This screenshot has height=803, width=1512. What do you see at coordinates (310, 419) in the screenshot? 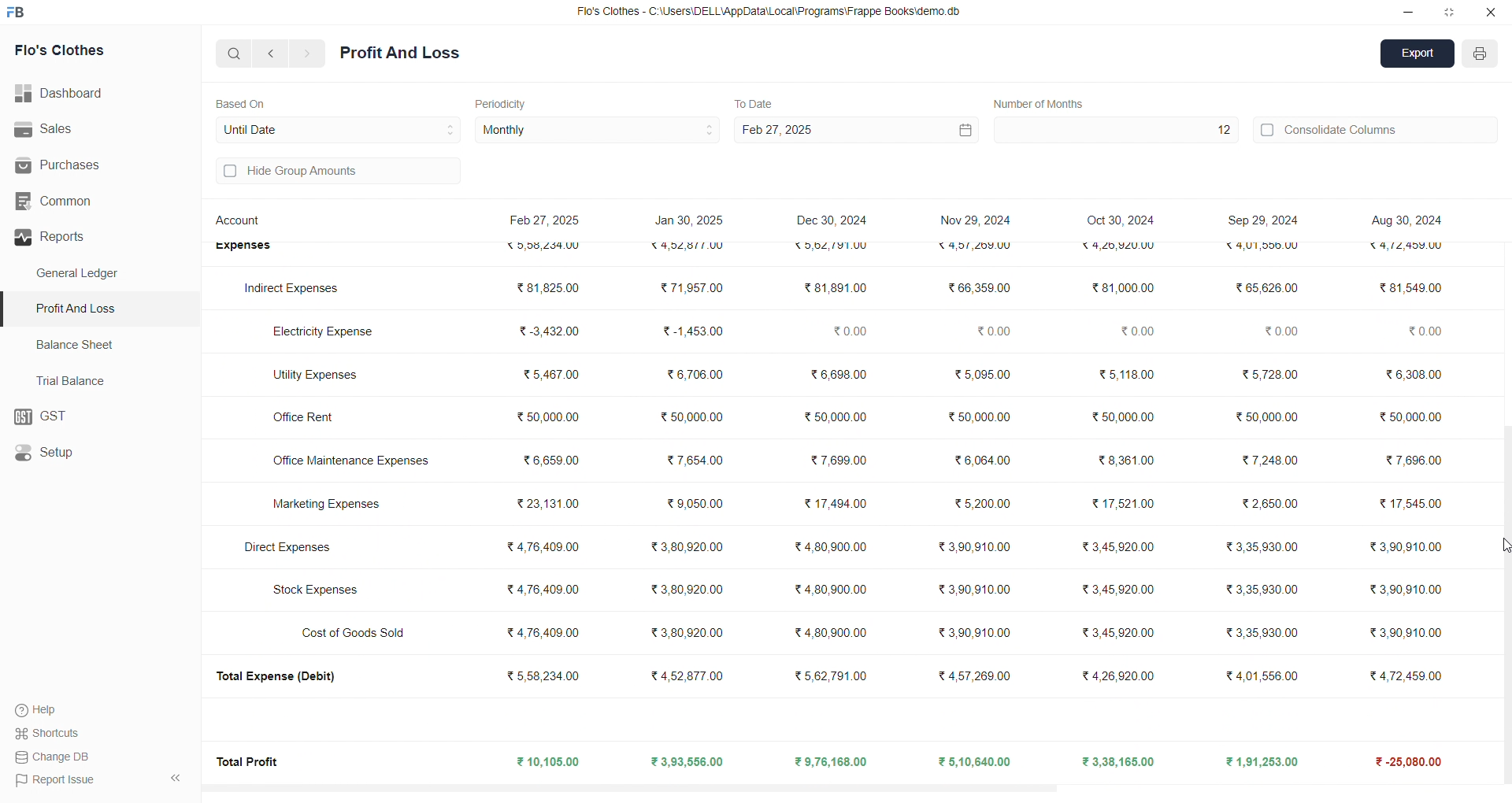
I see `Office Rent` at bounding box center [310, 419].